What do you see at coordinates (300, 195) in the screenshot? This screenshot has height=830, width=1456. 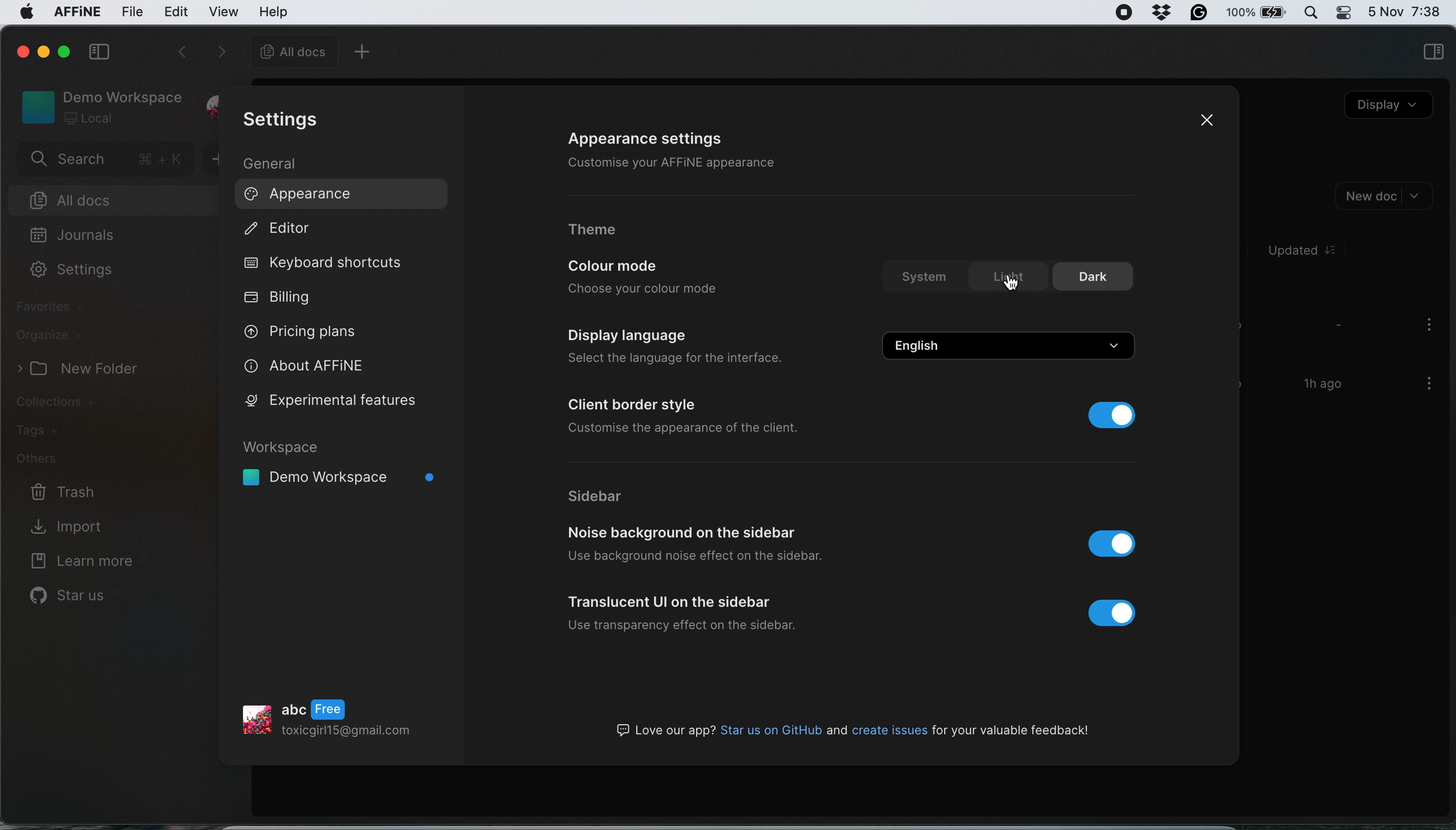 I see `appearance` at bounding box center [300, 195].